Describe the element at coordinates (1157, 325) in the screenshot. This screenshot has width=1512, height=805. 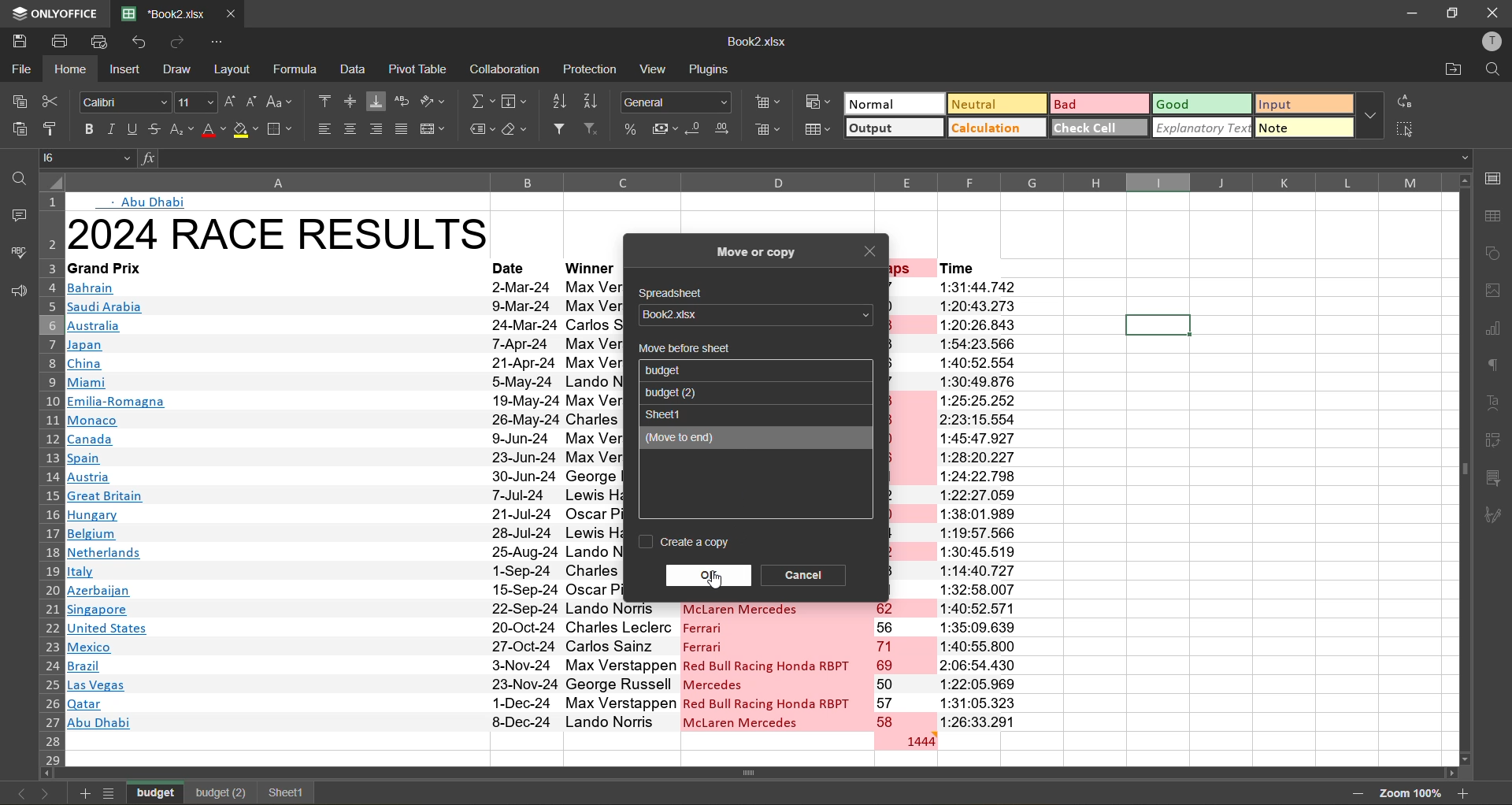
I see `selected cell` at that location.